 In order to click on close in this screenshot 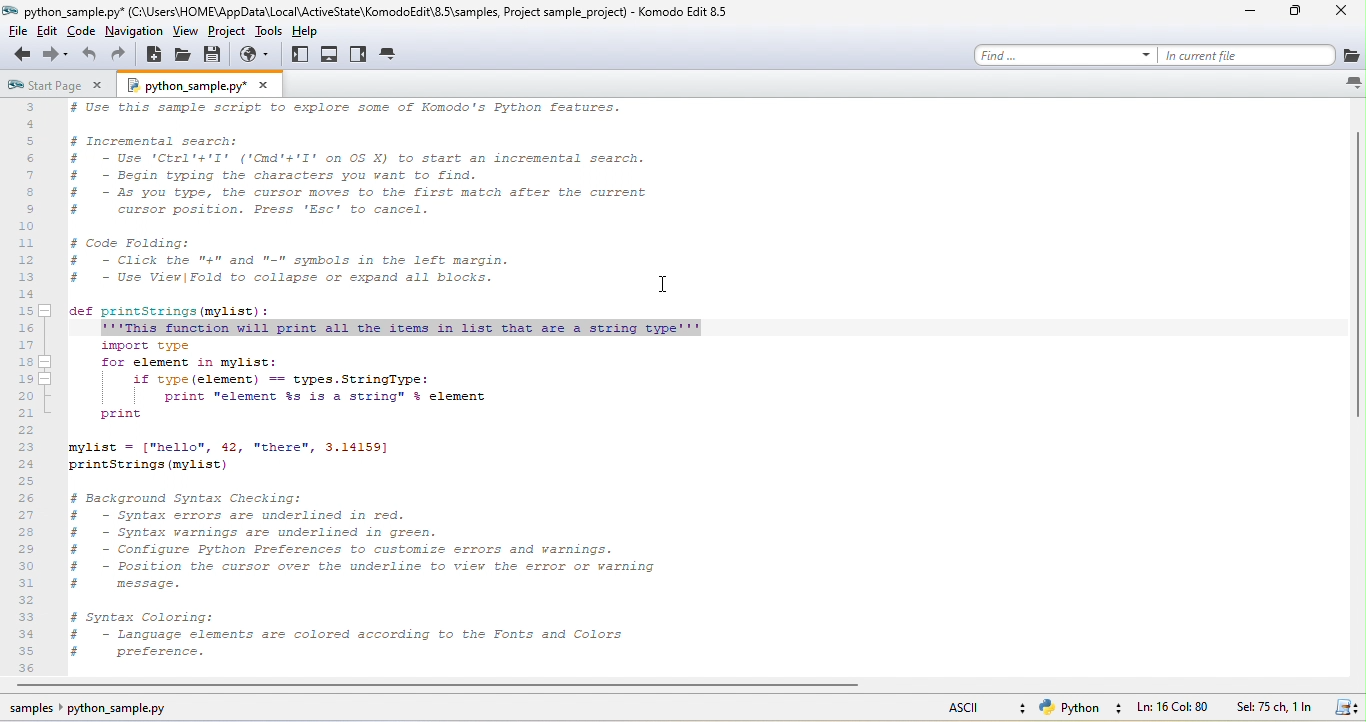, I will do `click(1343, 14)`.